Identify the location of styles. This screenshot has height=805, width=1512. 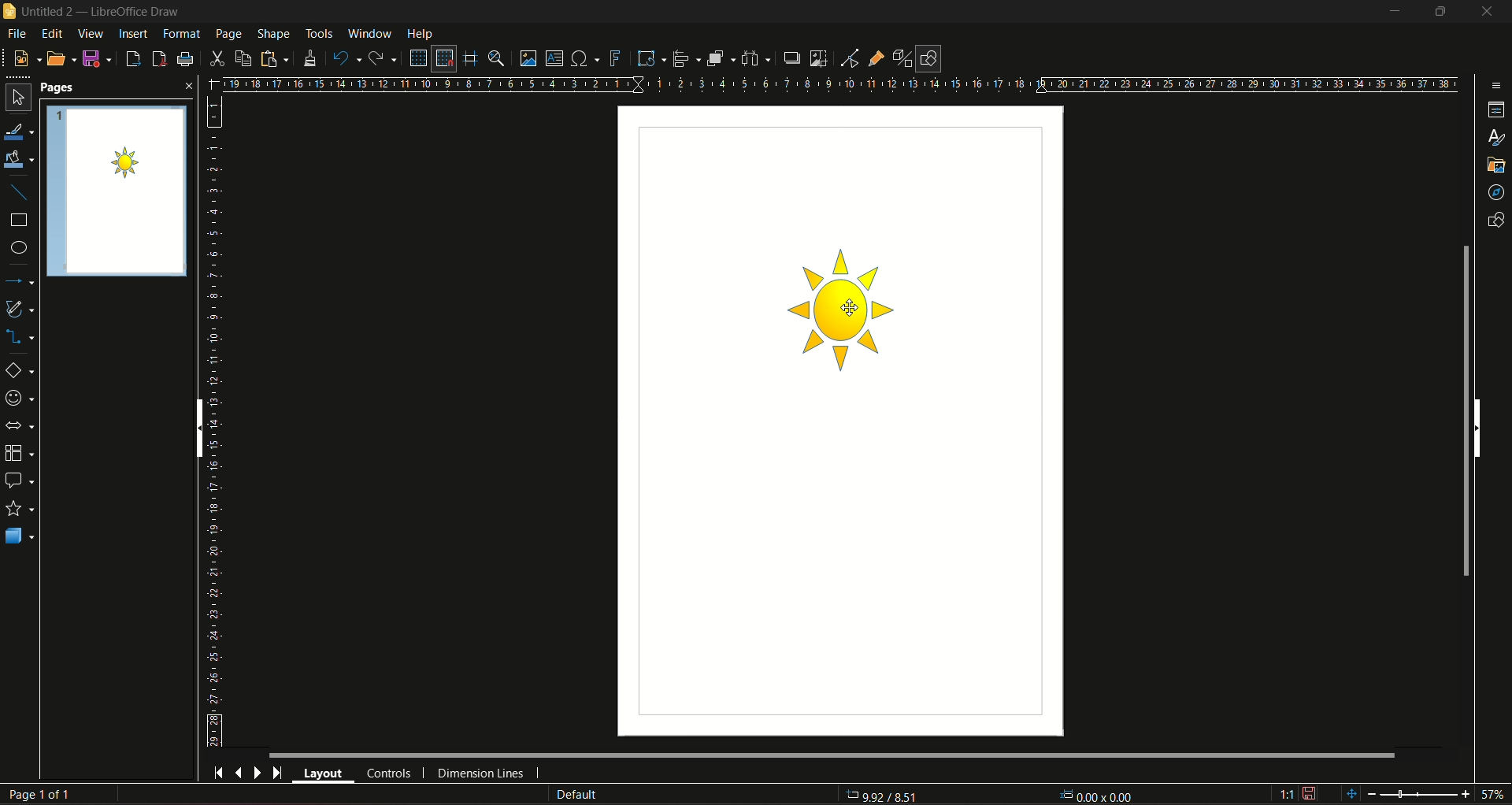
(1495, 138).